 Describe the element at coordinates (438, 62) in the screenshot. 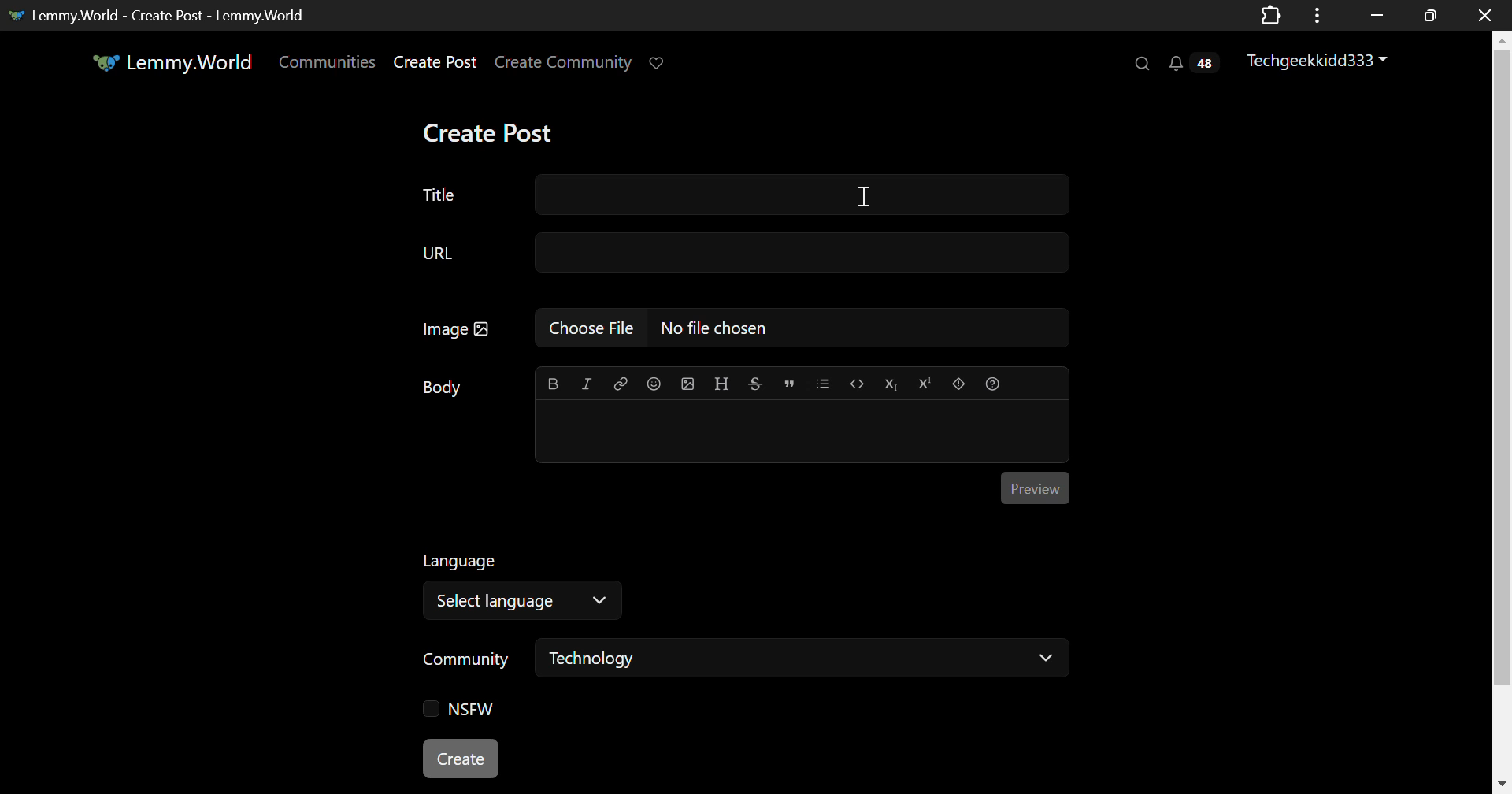

I see `Create Post` at that location.